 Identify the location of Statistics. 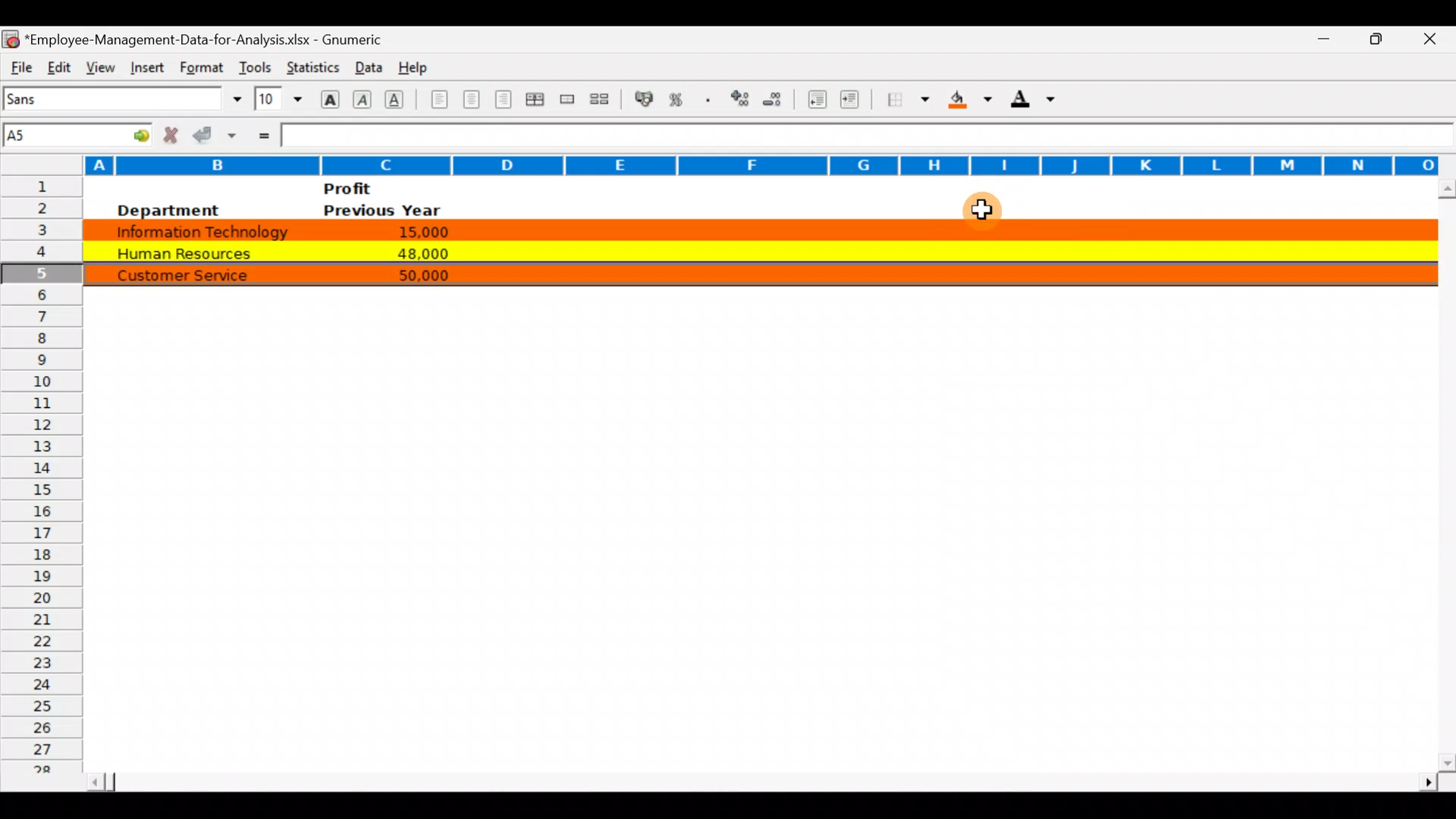
(311, 64).